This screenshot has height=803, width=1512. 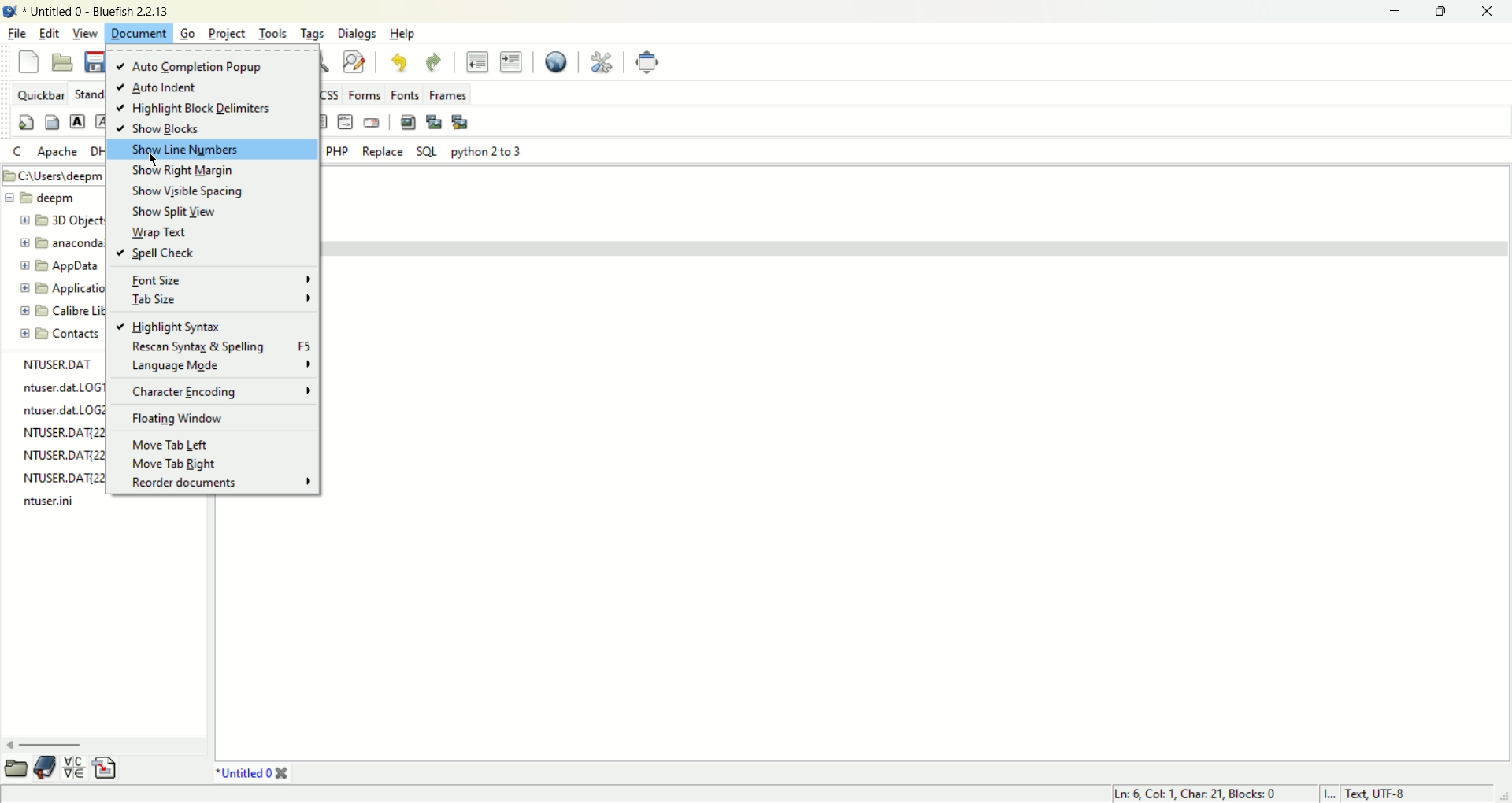 What do you see at coordinates (44, 94) in the screenshot?
I see `quickbar` at bounding box center [44, 94].